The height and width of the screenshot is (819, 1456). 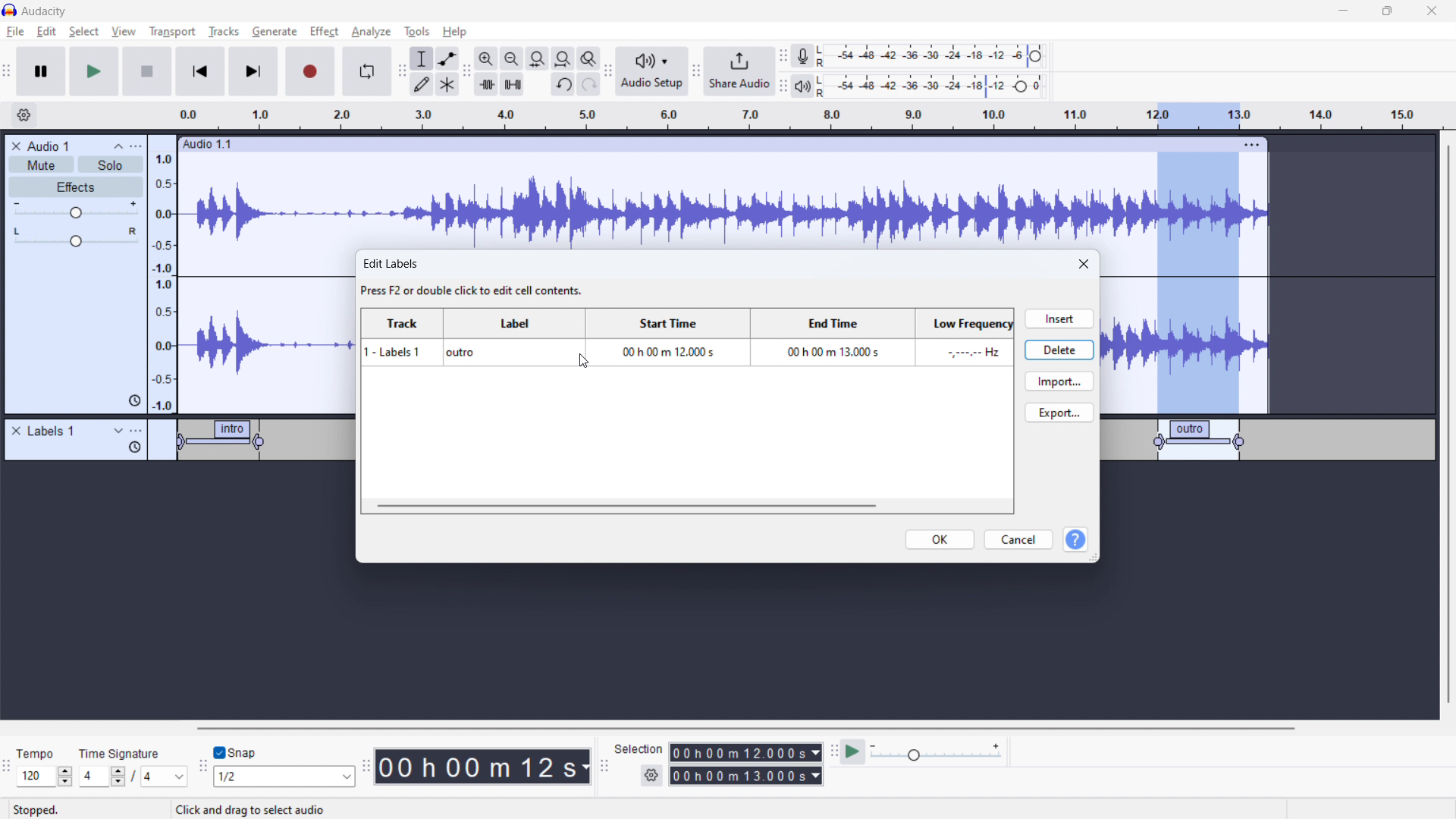 What do you see at coordinates (1058, 318) in the screenshot?
I see `insert` at bounding box center [1058, 318].